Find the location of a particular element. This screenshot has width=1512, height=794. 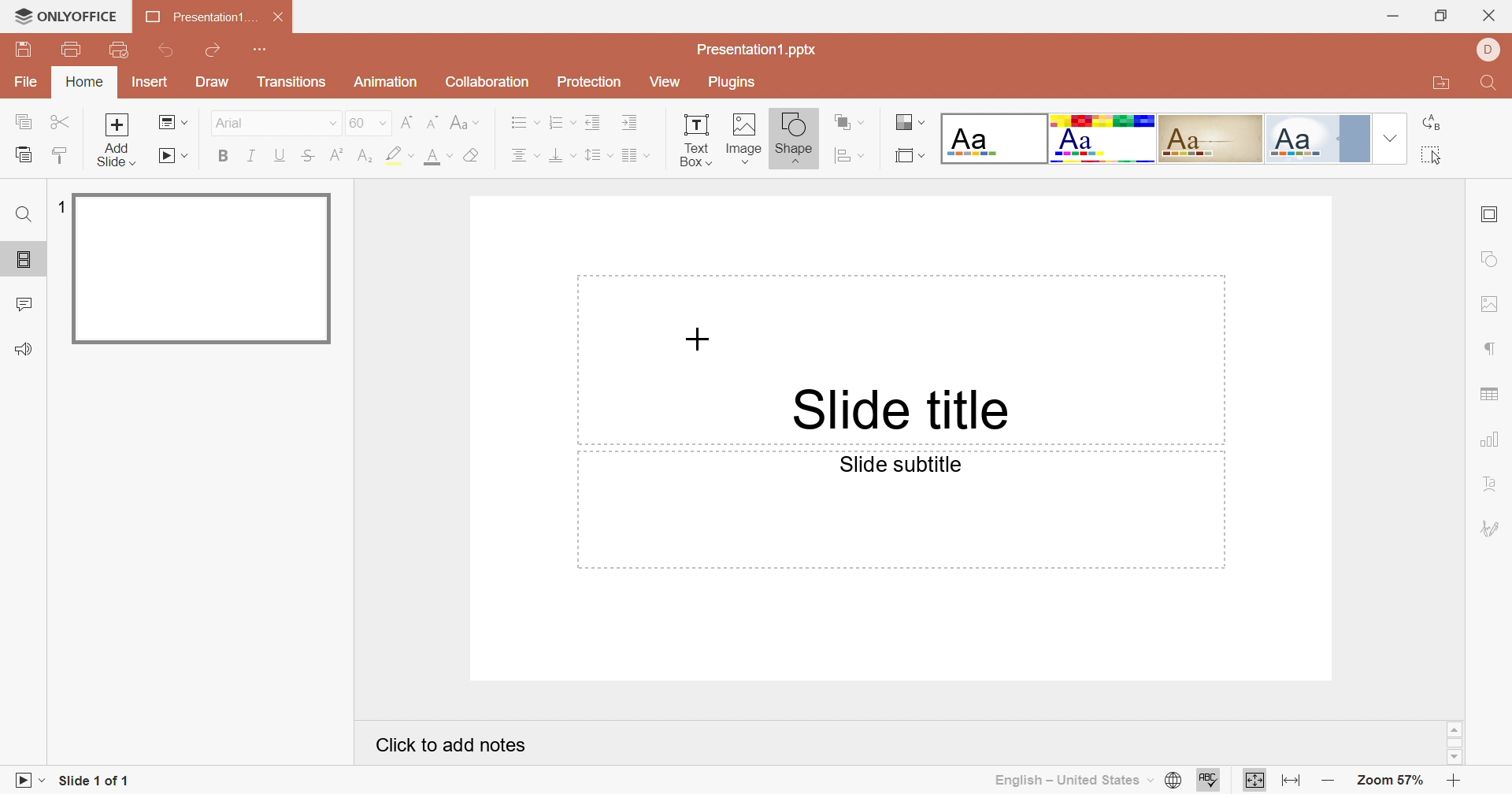

Collaboration is located at coordinates (483, 82).